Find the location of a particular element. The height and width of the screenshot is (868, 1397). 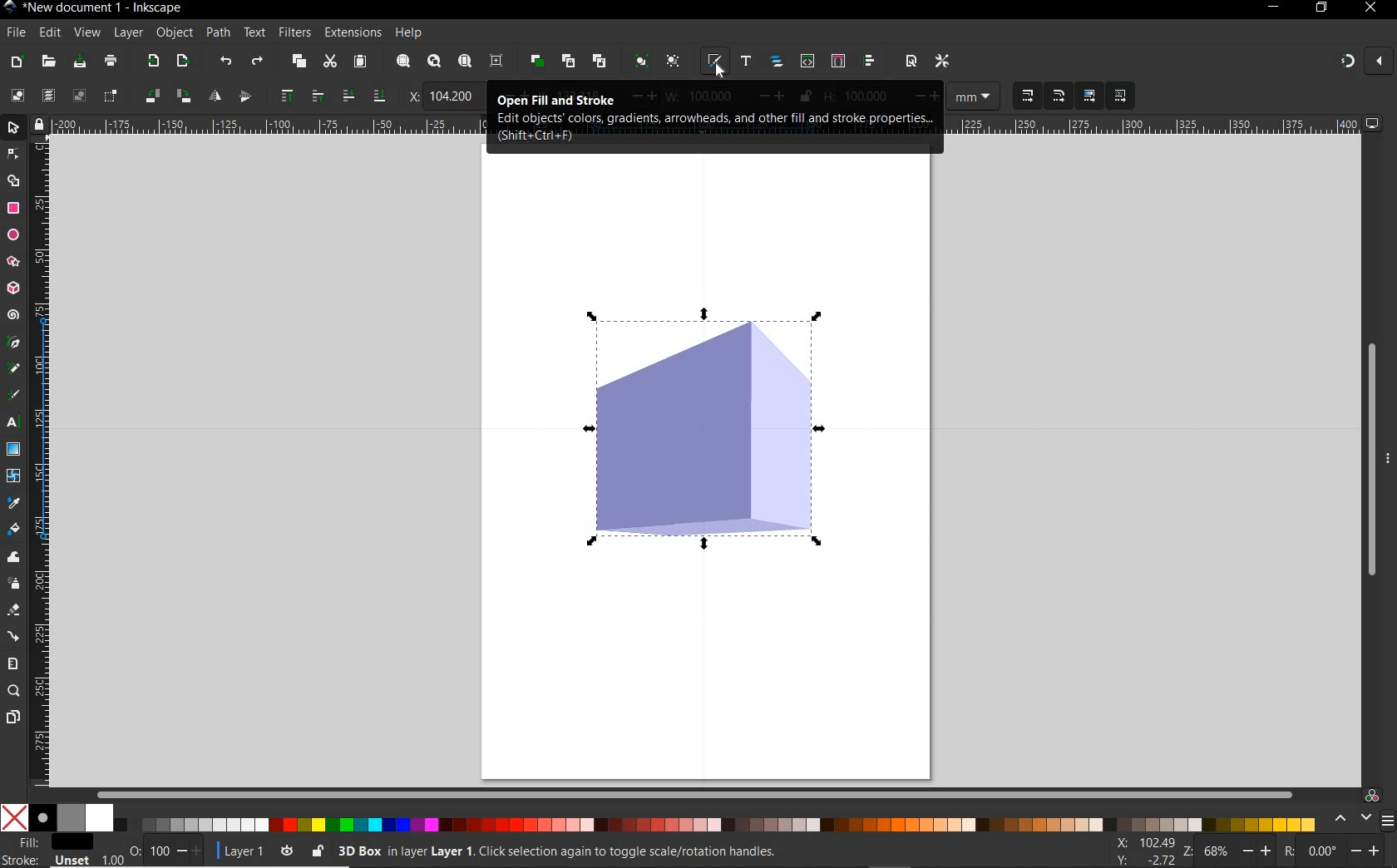

ERASER TOOL is located at coordinates (14, 609).